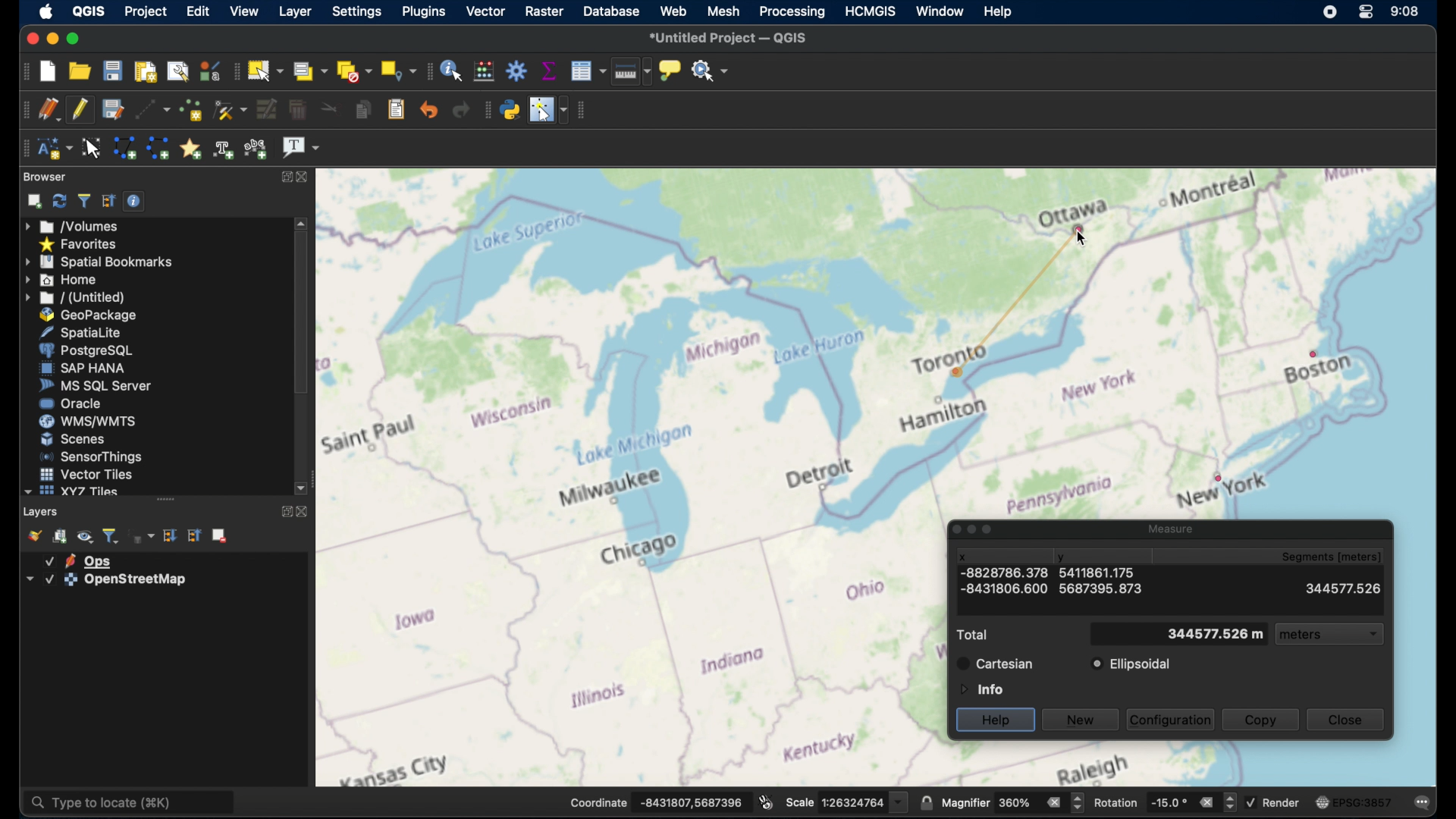  Describe the element at coordinates (873, 11) in the screenshot. I see `HCMGIS` at that location.